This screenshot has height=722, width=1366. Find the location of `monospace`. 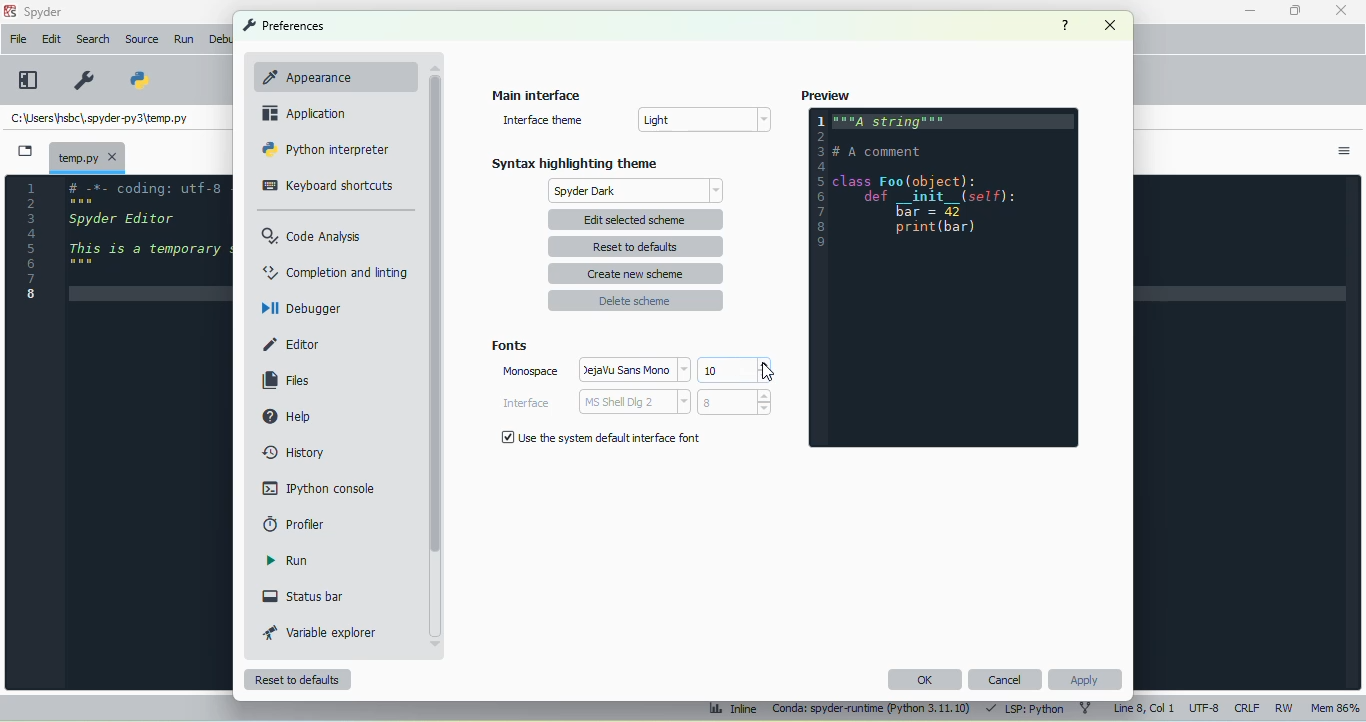

monospace is located at coordinates (530, 371).